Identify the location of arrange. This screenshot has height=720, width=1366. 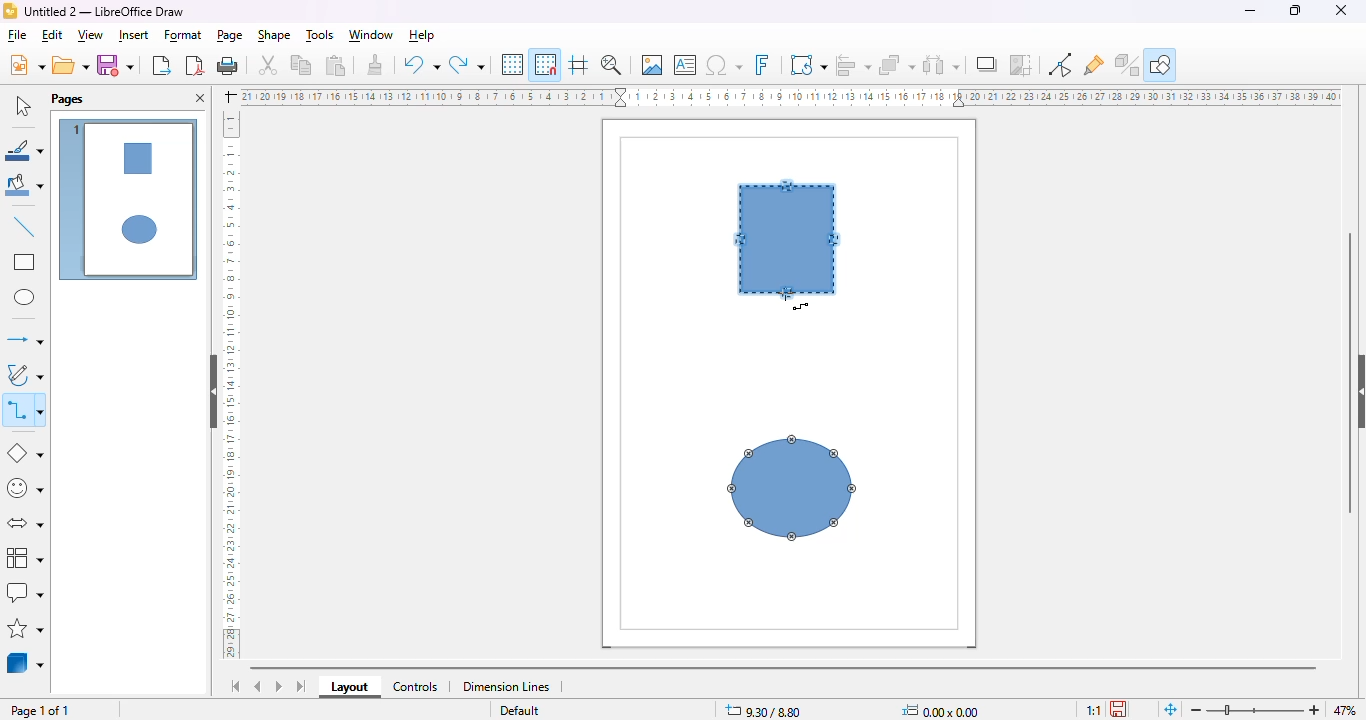
(897, 65).